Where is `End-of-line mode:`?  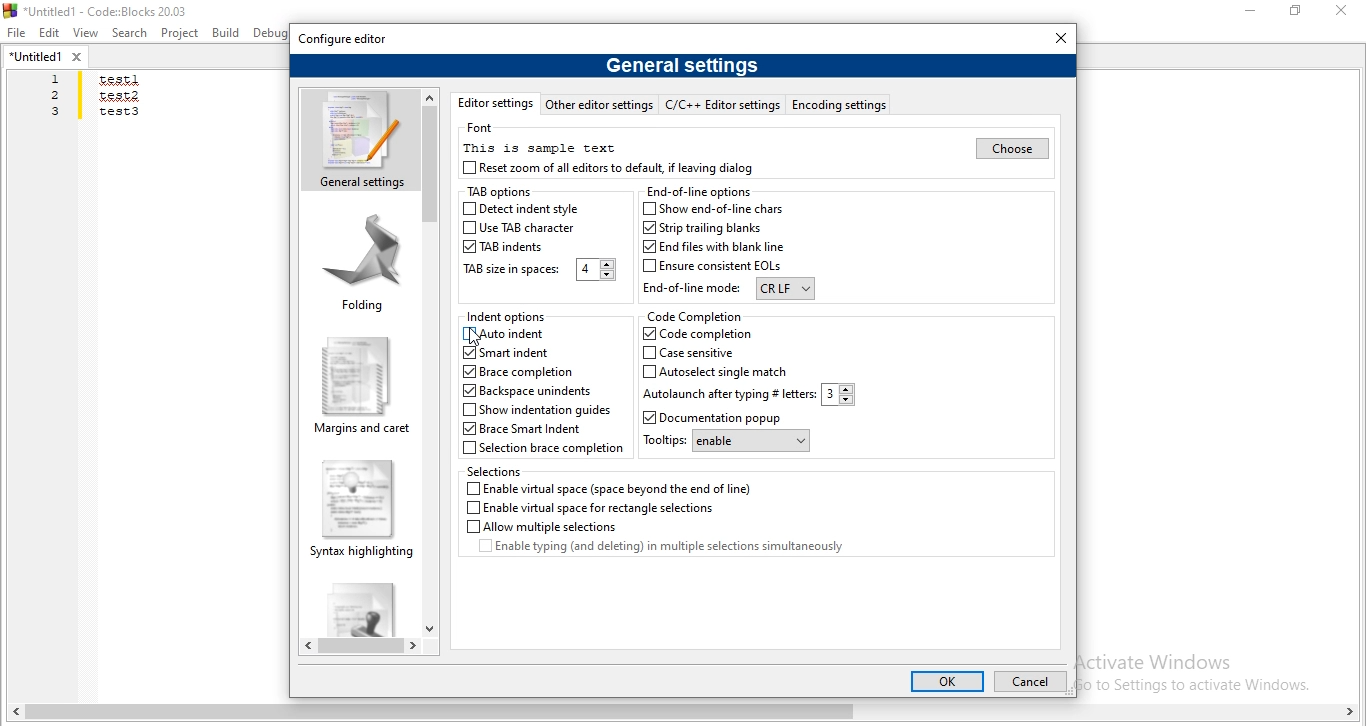
End-of-line mode: is located at coordinates (728, 290).